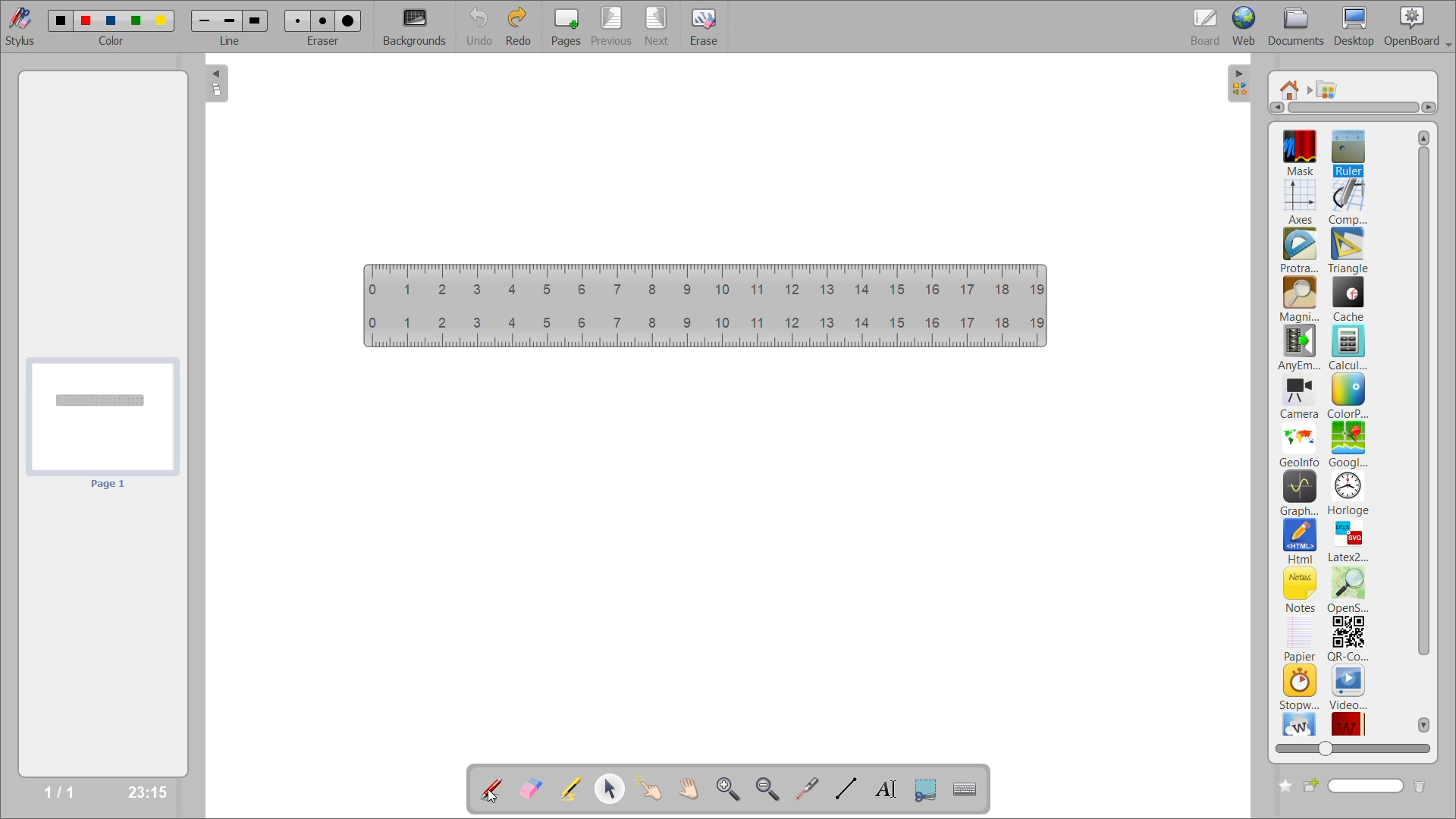 The width and height of the screenshot is (1456, 819). Describe the element at coordinates (1354, 108) in the screenshot. I see `horizontal scroll bar` at that location.